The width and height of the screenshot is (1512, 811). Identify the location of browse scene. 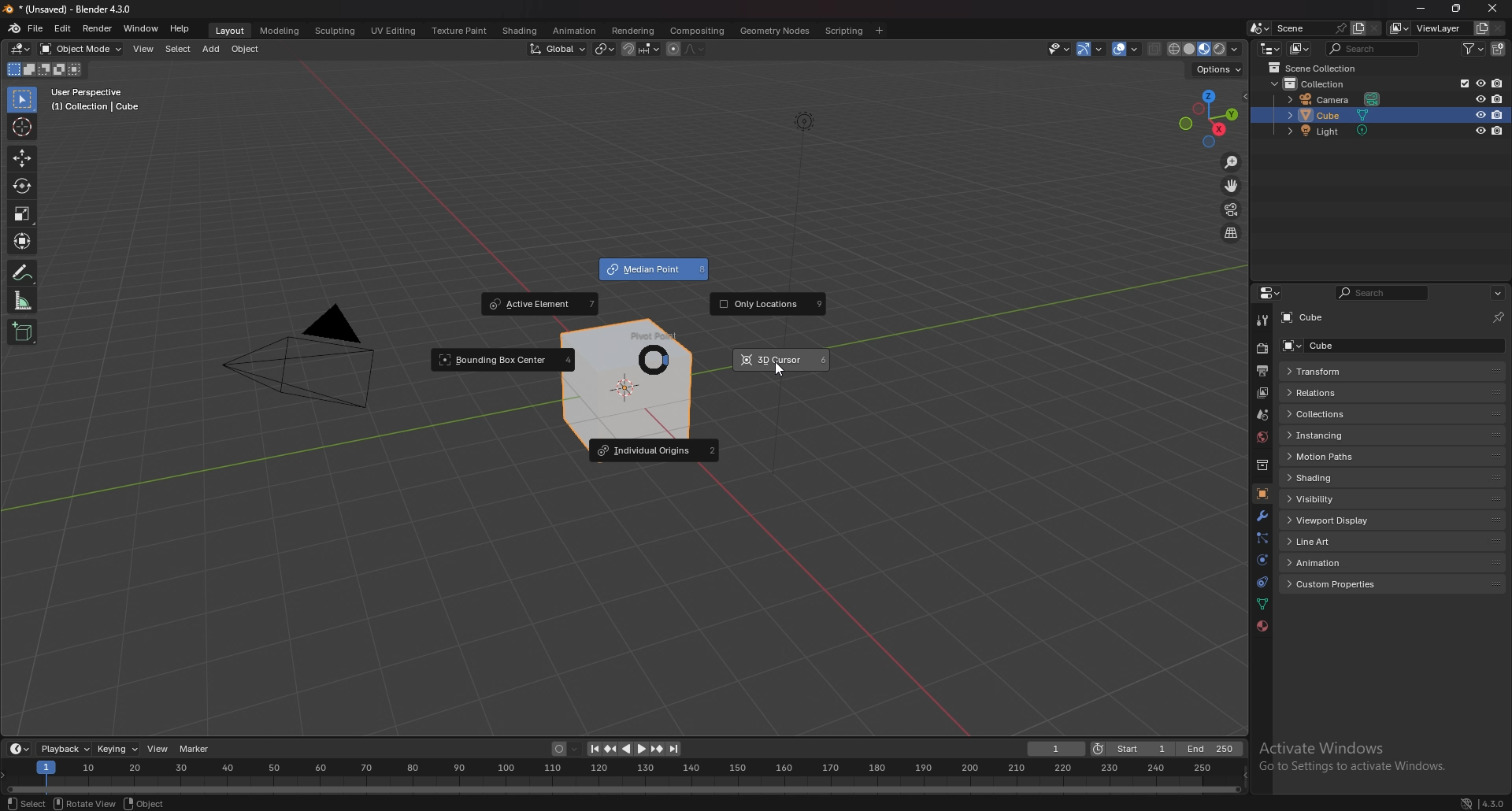
(1260, 28).